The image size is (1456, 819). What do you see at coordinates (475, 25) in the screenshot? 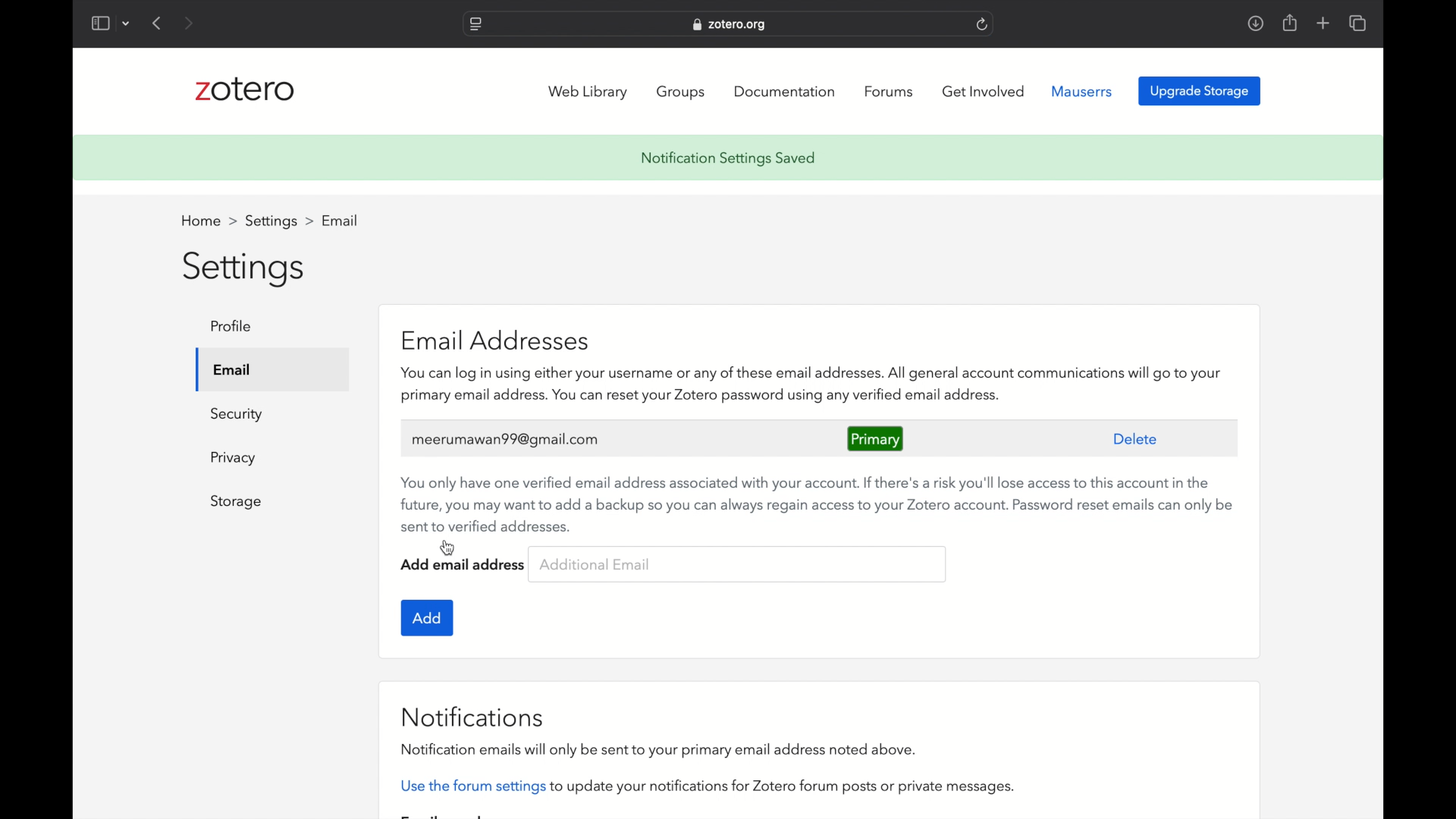
I see `website settings` at bounding box center [475, 25].